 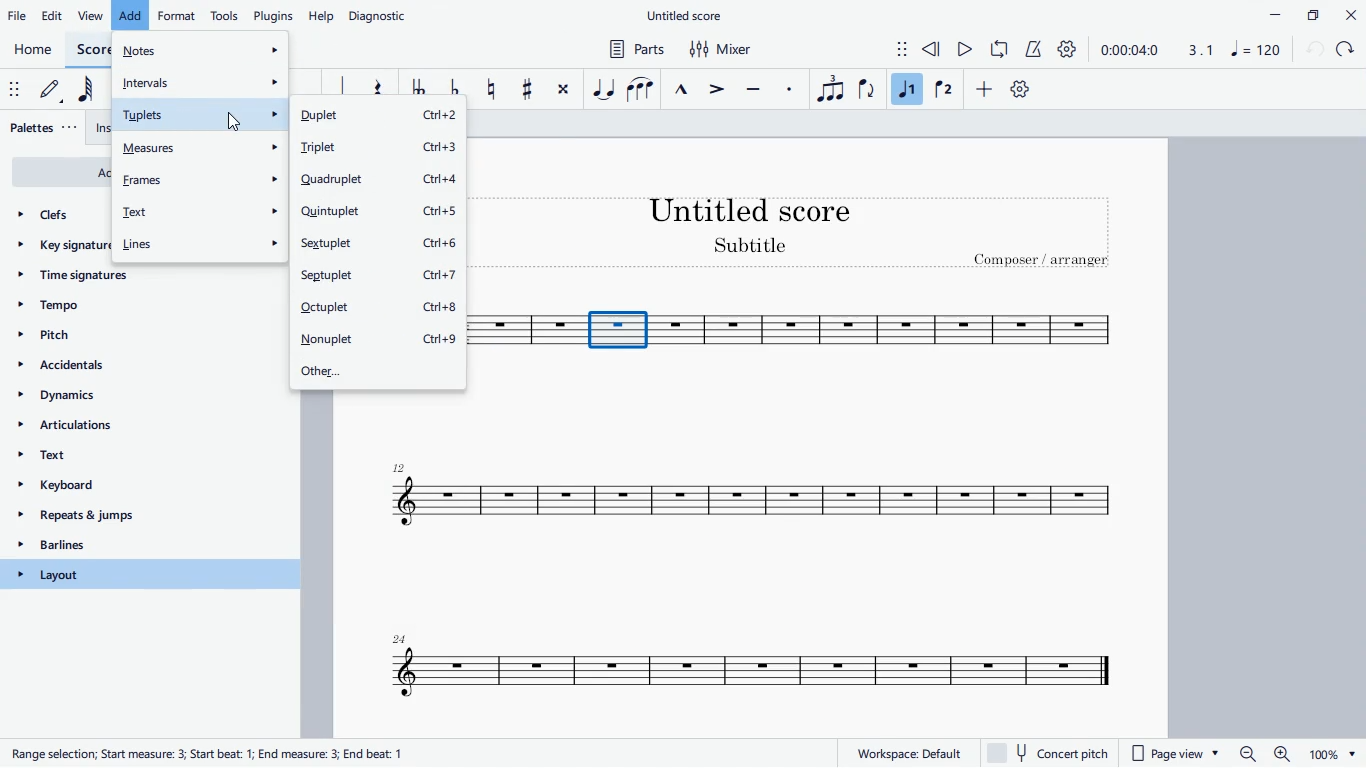 What do you see at coordinates (828, 89) in the screenshot?
I see `tuplet` at bounding box center [828, 89].